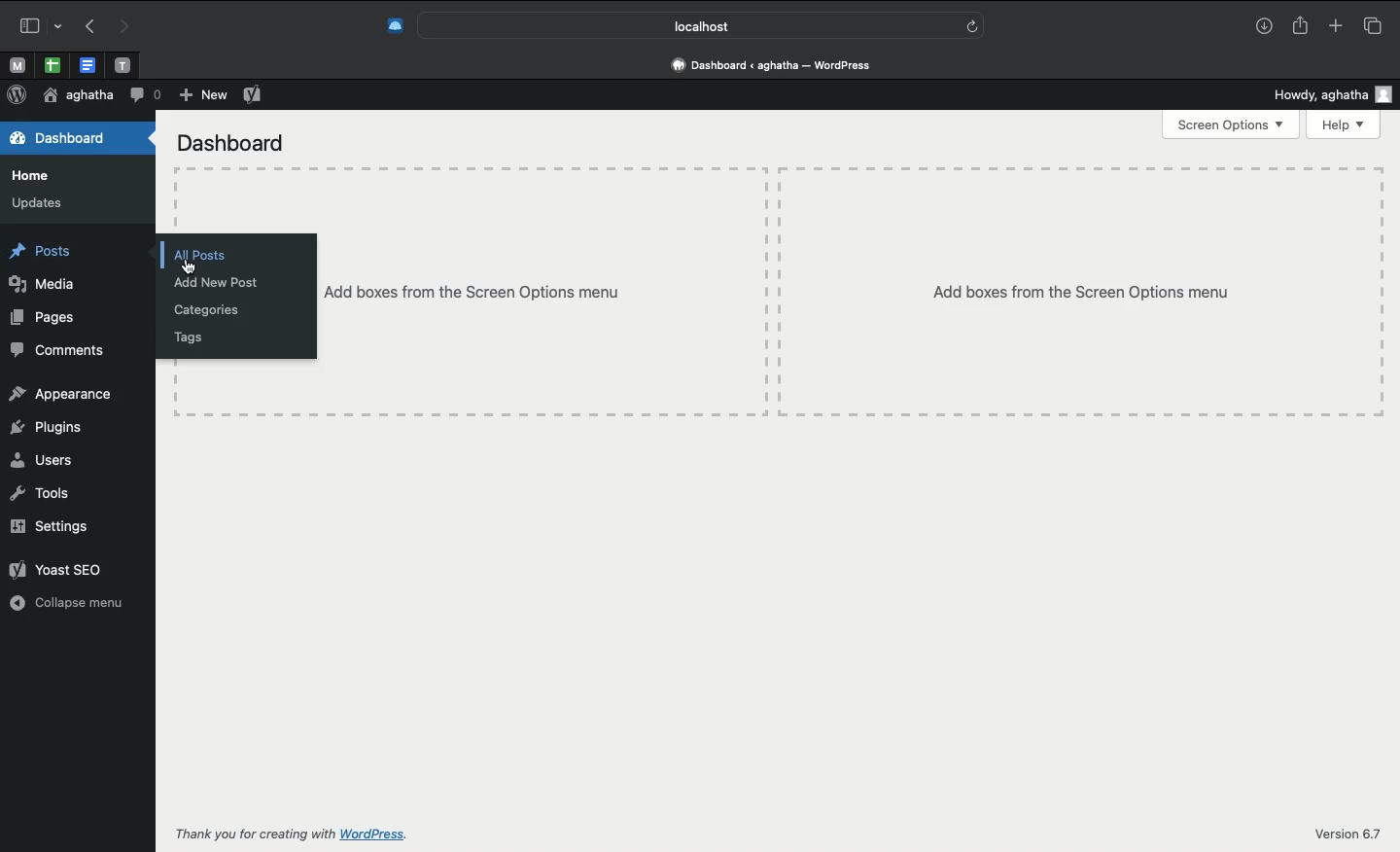  What do you see at coordinates (1264, 27) in the screenshot?
I see `Downloads` at bounding box center [1264, 27].